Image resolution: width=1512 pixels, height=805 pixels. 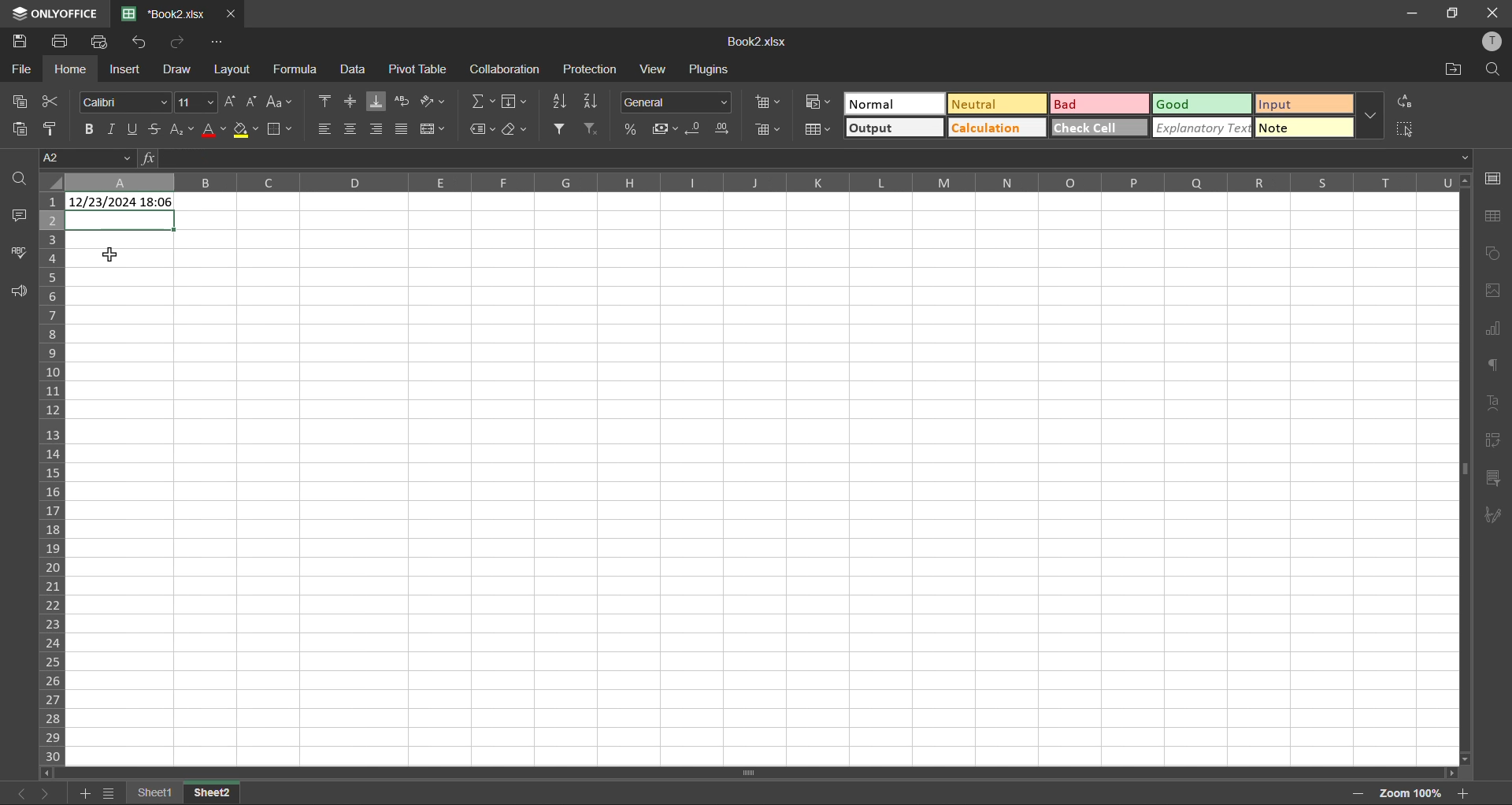 I want to click on sheet 2, so click(x=215, y=789).